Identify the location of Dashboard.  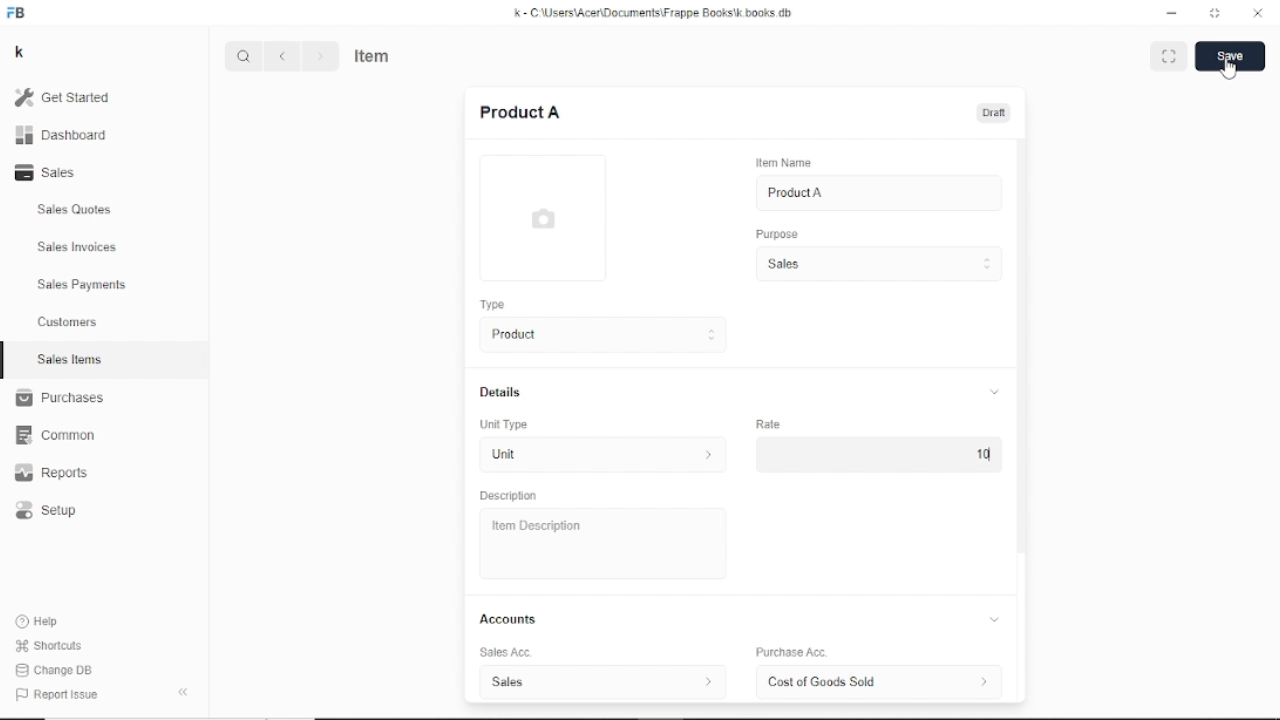
(62, 136).